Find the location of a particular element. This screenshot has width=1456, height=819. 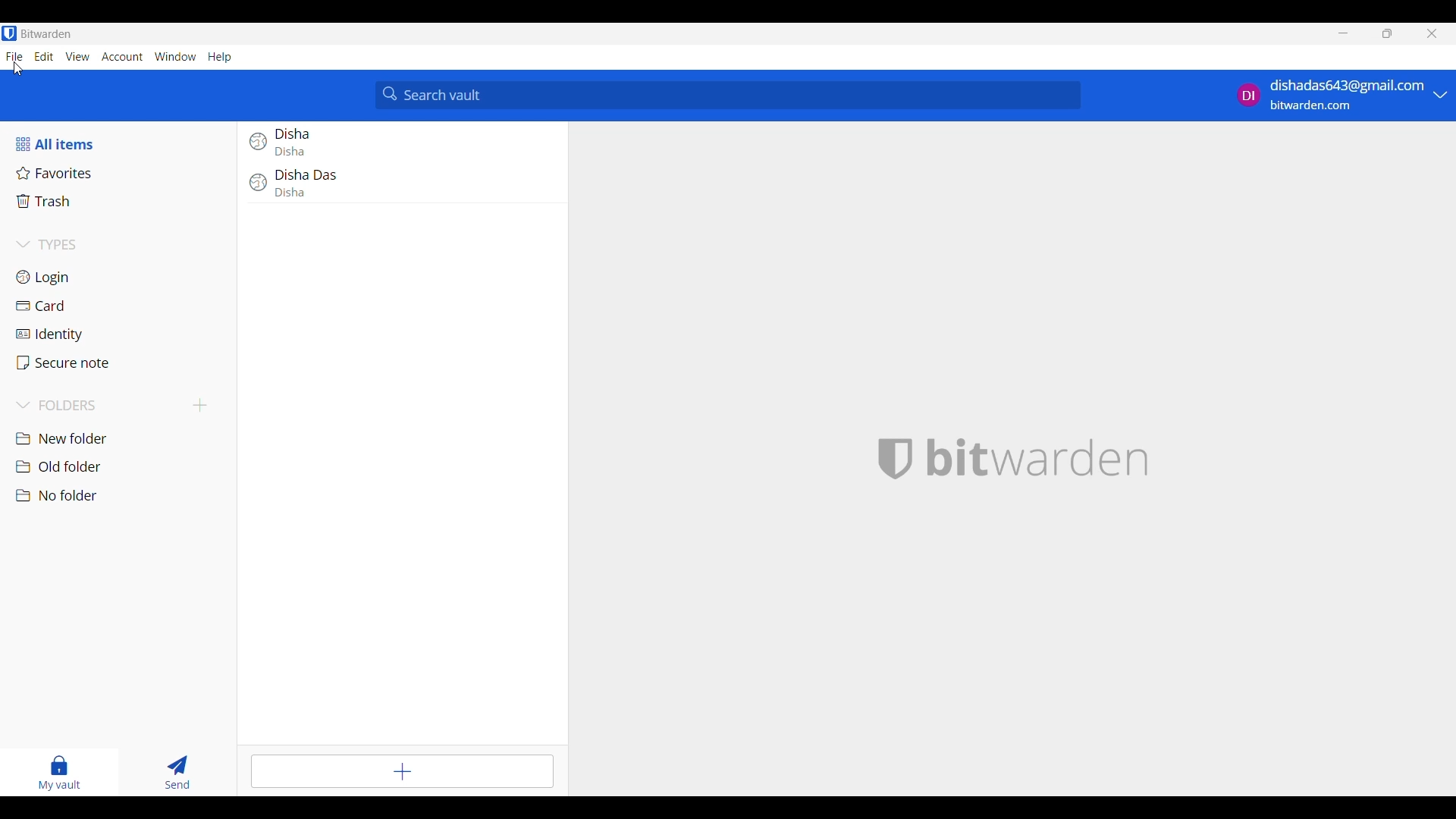

Software logo and name is located at coordinates (1038, 459).